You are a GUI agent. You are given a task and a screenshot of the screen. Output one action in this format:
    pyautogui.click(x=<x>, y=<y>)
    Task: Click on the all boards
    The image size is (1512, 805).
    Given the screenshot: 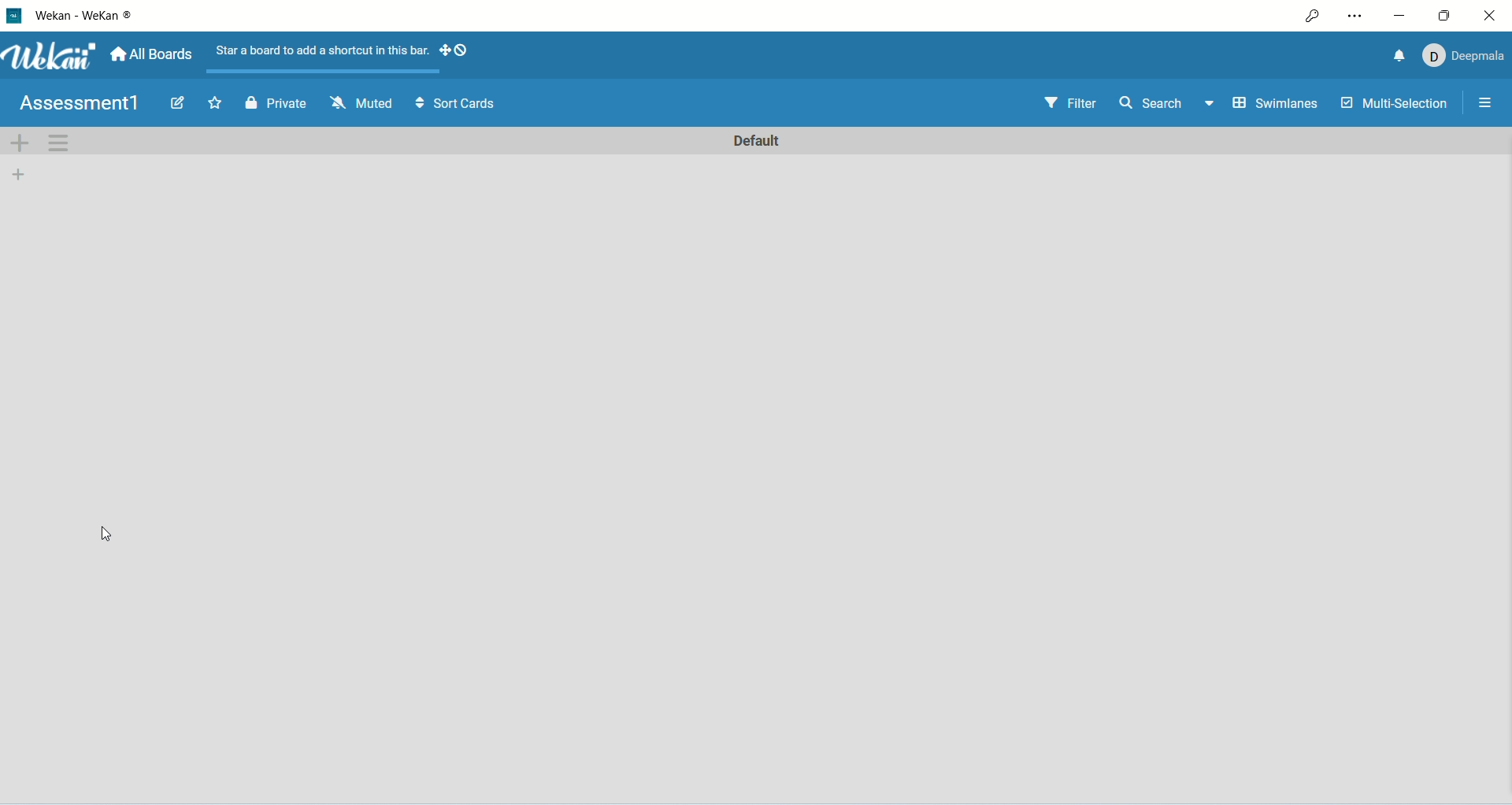 What is the action you would take?
    pyautogui.click(x=154, y=54)
    